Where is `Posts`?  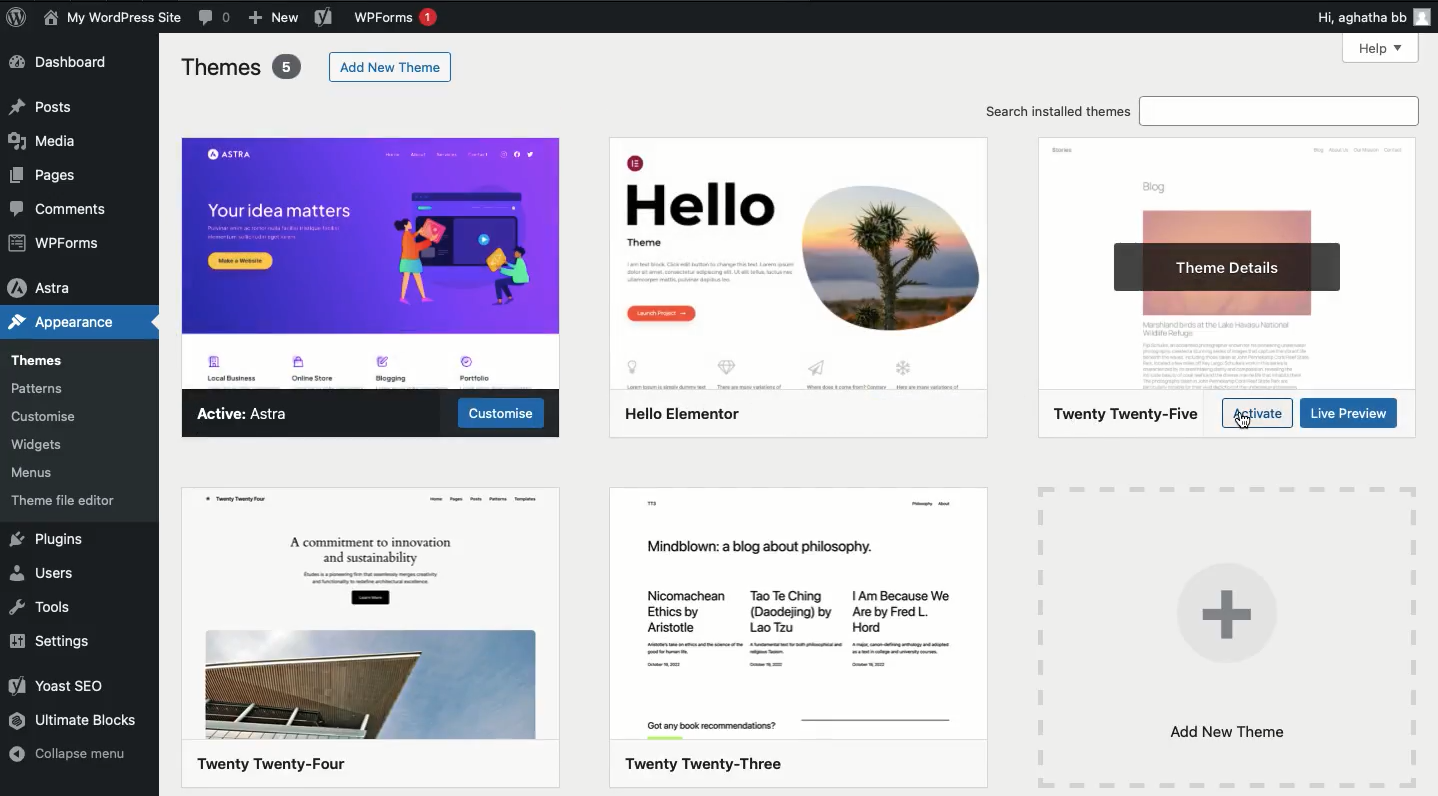 Posts is located at coordinates (41, 106).